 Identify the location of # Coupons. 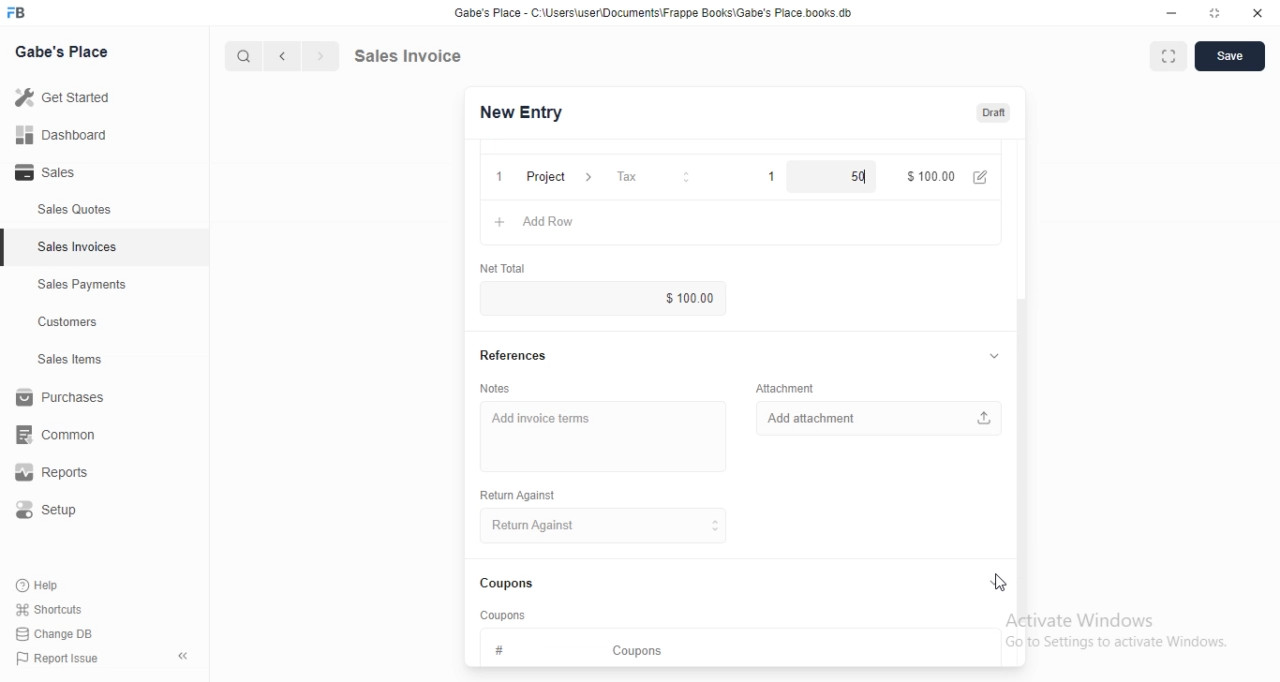
(587, 647).